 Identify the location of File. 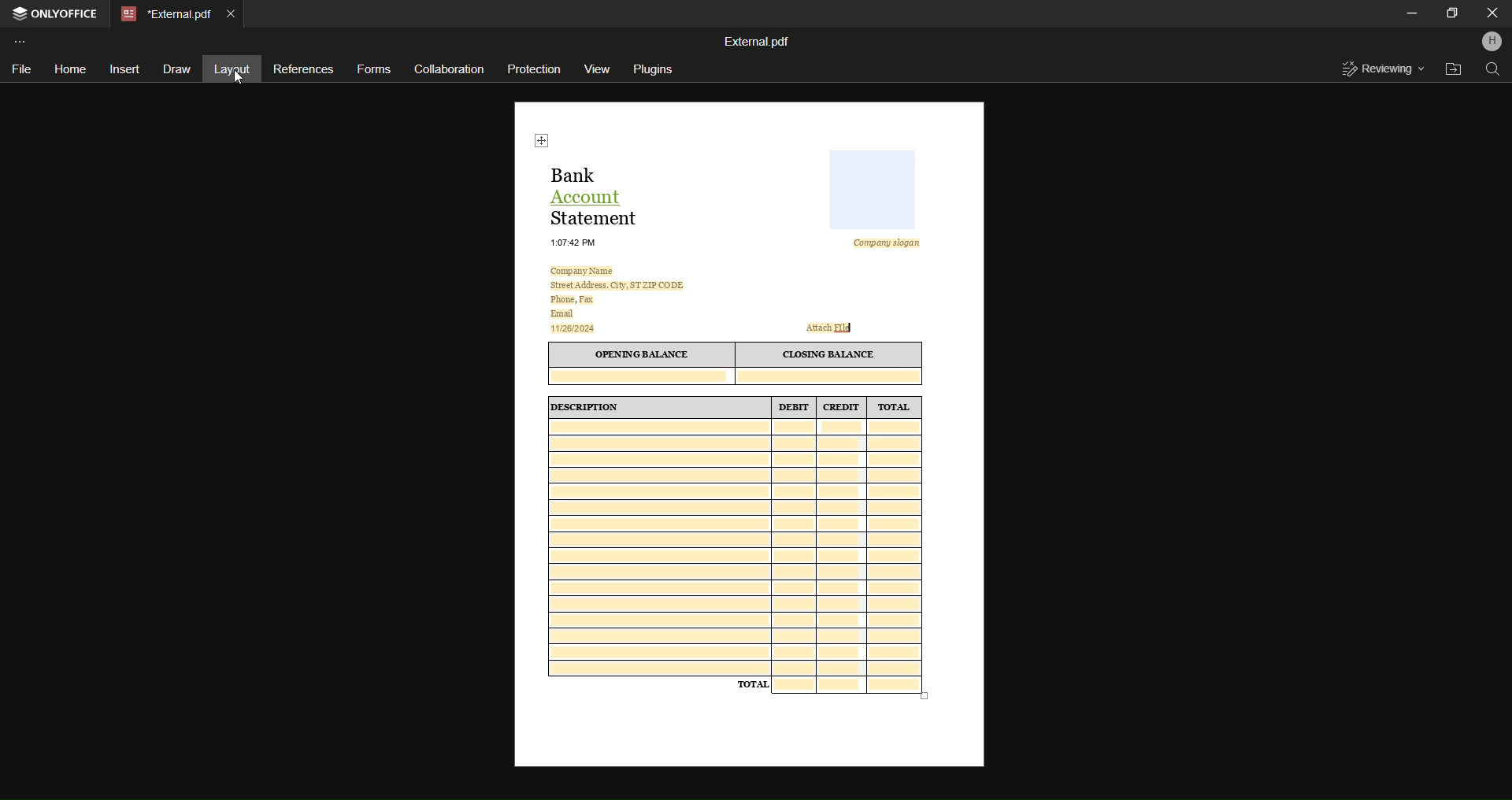
(23, 70).